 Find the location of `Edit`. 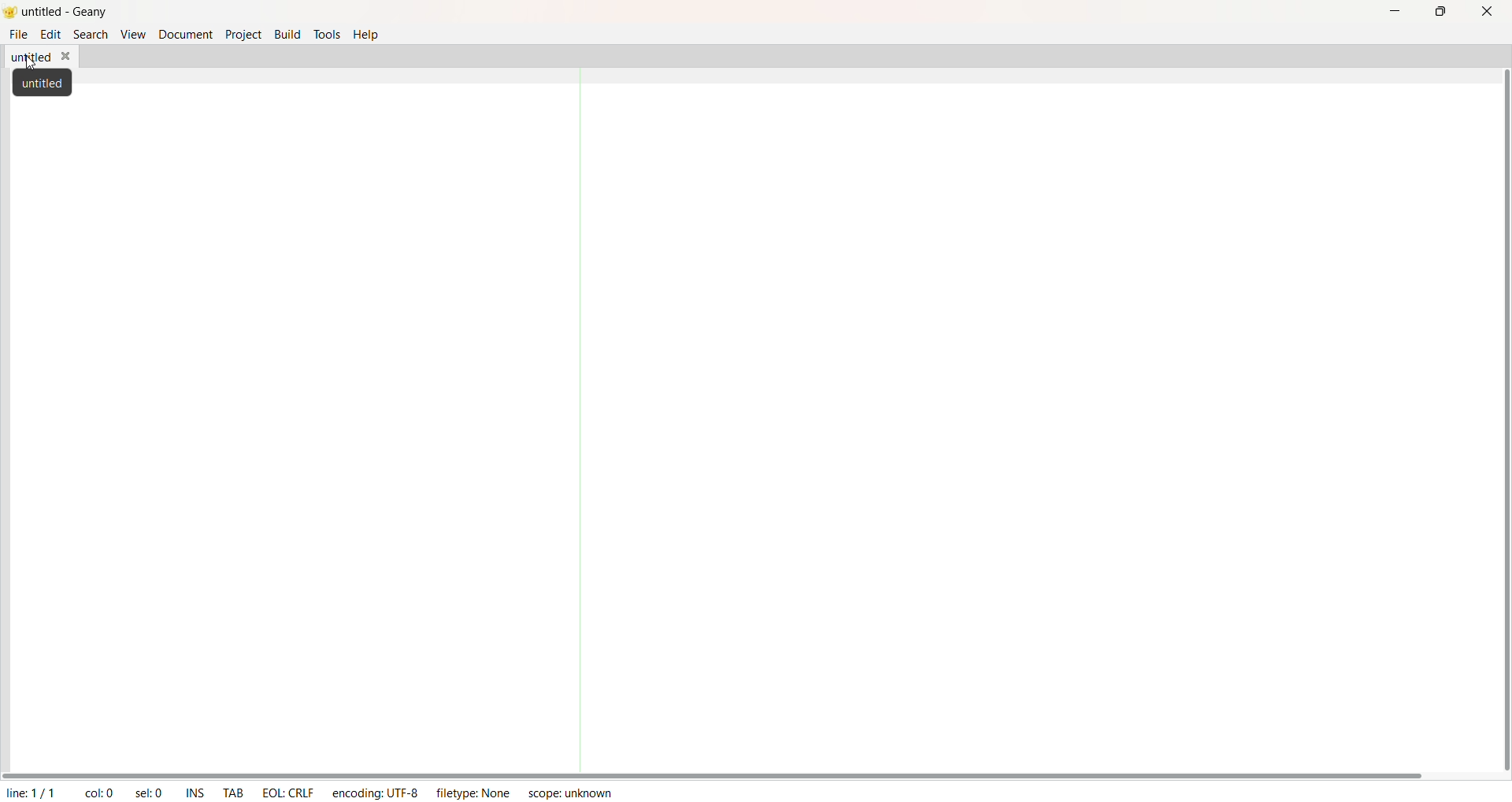

Edit is located at coordinates (50, 35).